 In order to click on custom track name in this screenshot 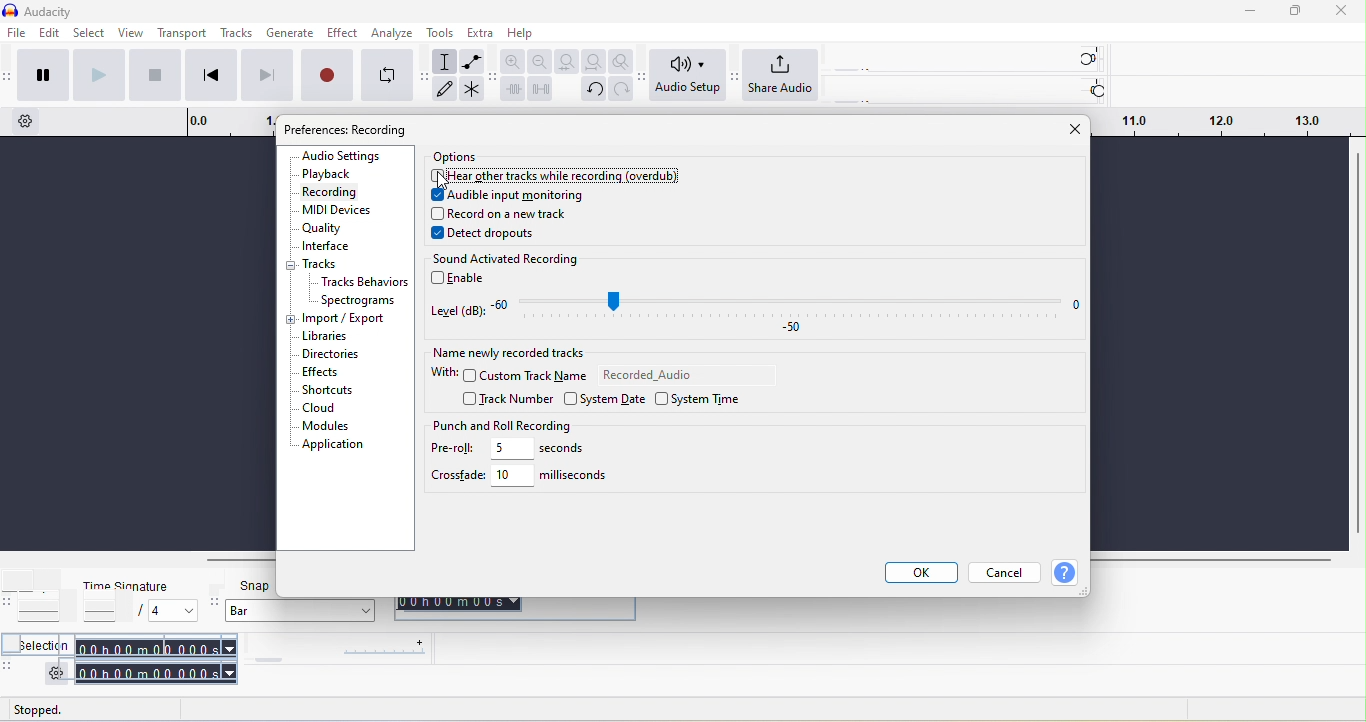, I will do `click(528, 376)`.